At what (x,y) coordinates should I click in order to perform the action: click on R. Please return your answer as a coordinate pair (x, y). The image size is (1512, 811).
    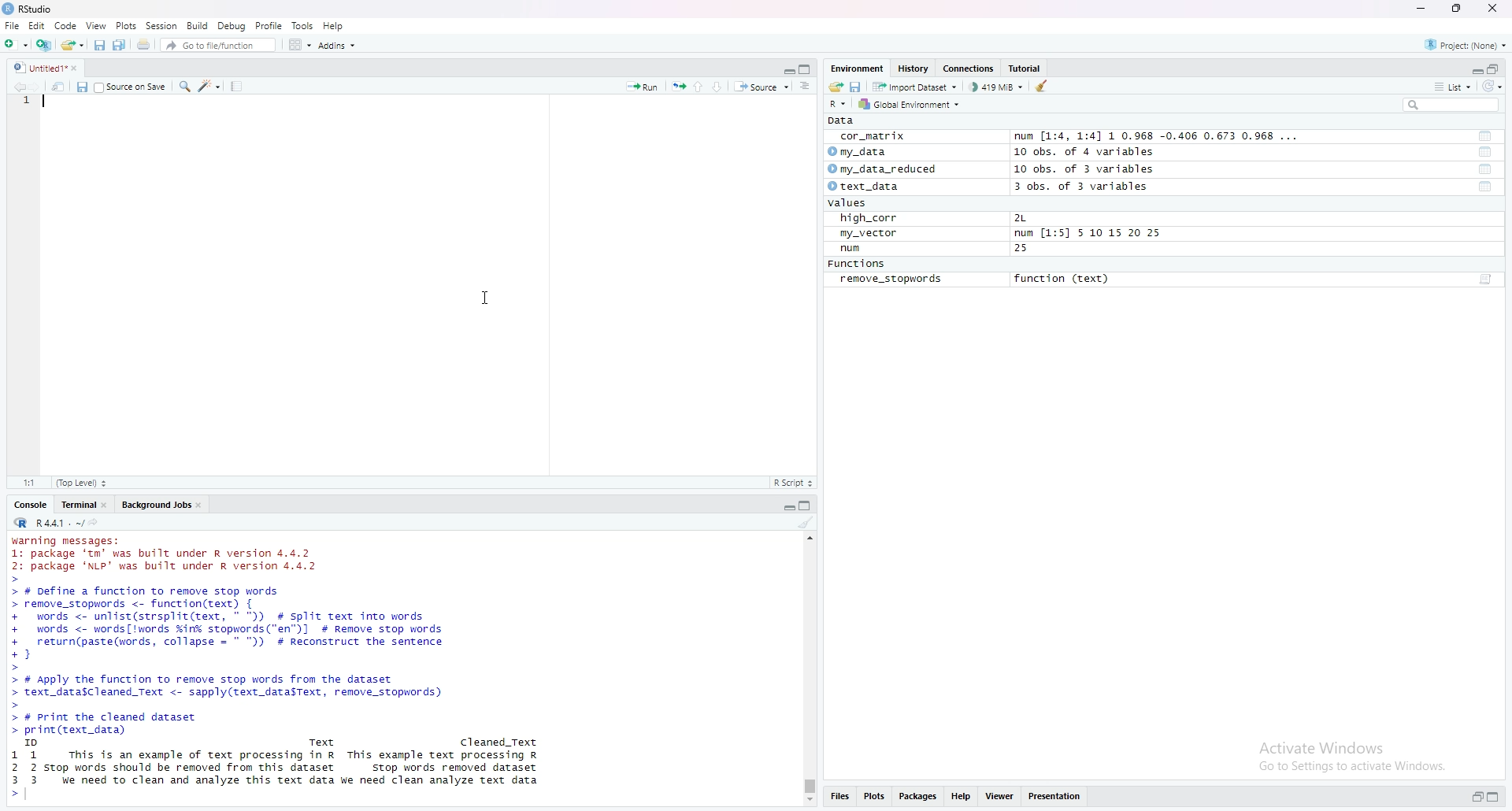
    Looking at the image, I should click on (840, 106).